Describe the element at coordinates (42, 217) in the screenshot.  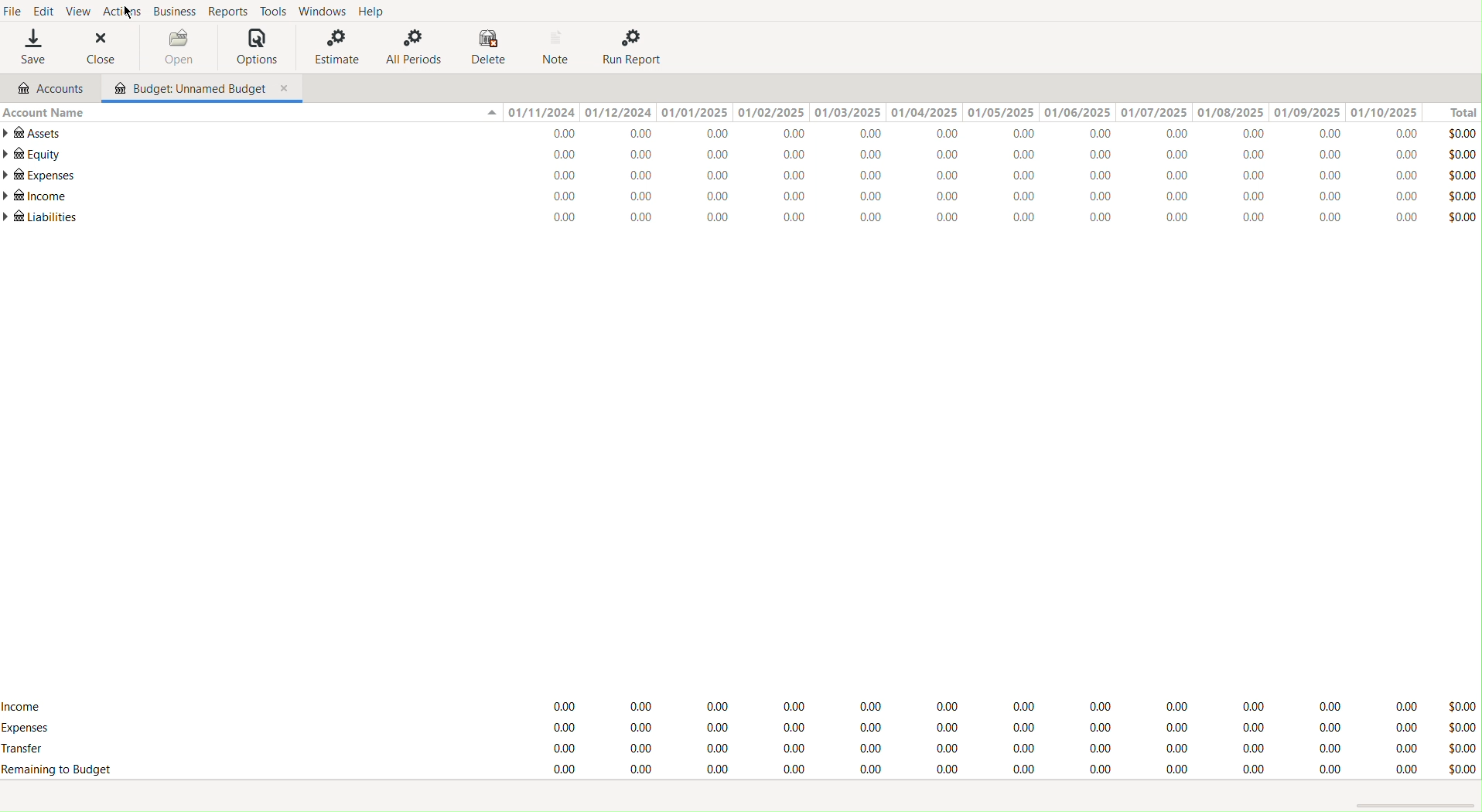
I see `Liabilities` at that location.